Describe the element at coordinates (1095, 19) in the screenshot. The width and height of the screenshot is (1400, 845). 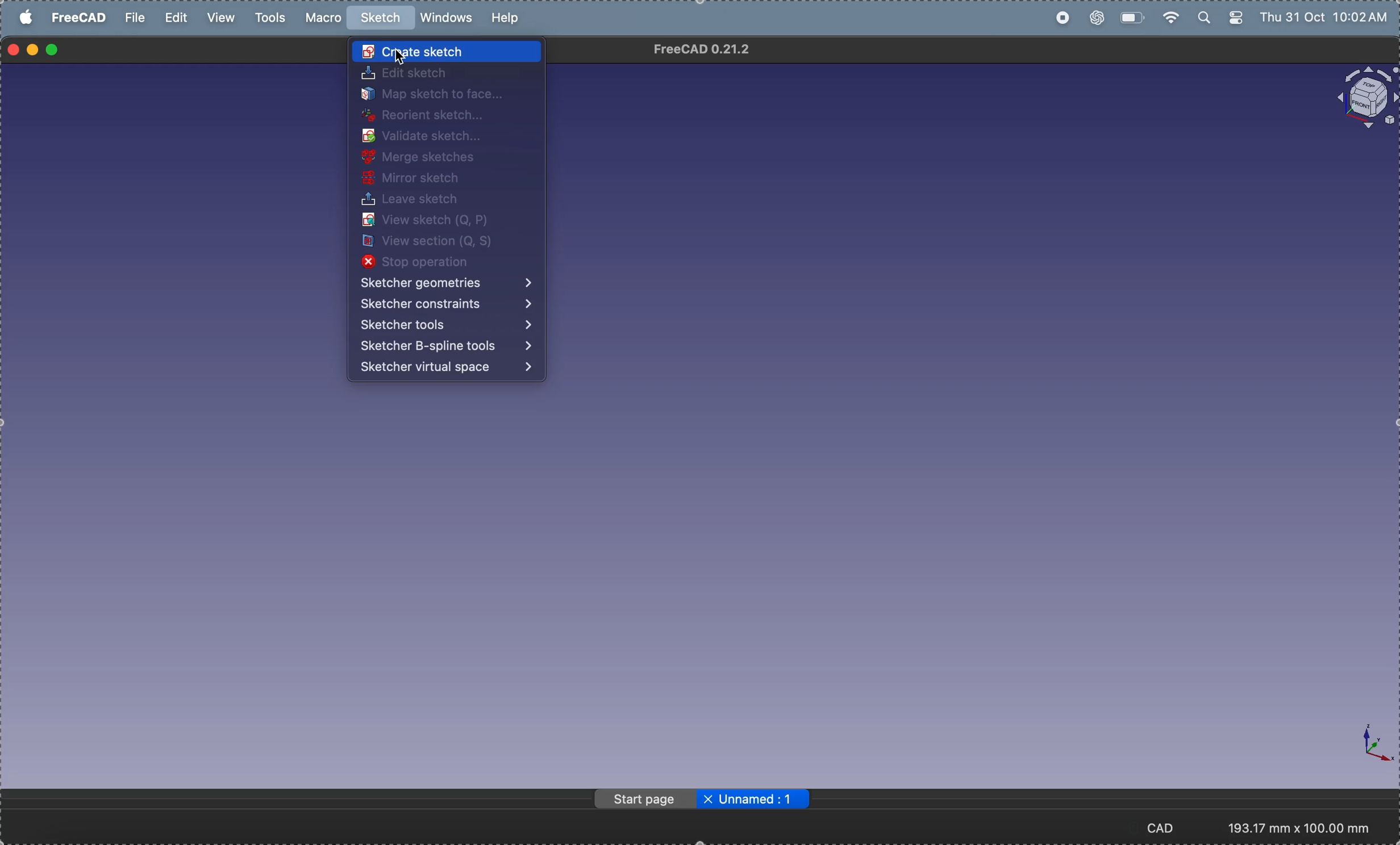
I see `chatgpt` at that location.